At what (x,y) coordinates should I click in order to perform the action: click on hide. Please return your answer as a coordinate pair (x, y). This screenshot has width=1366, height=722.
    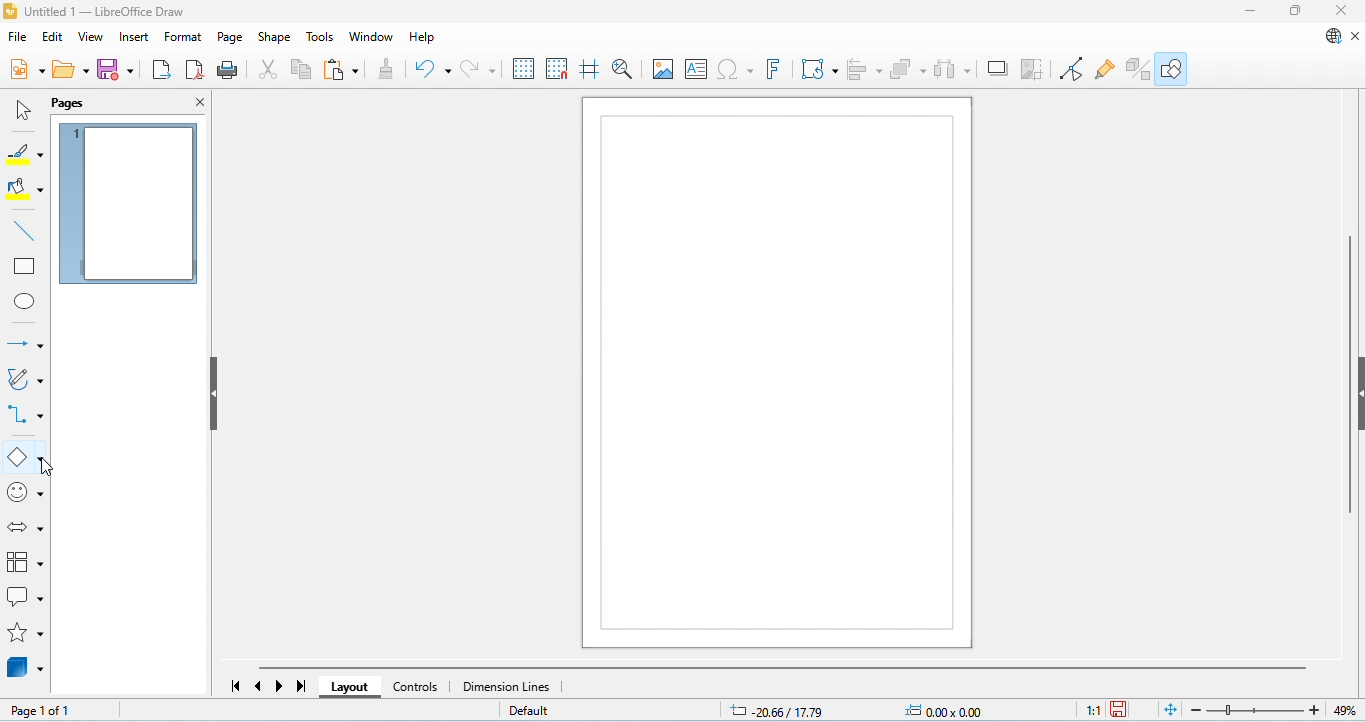
    Looking at the image, I should click on (214, 396).